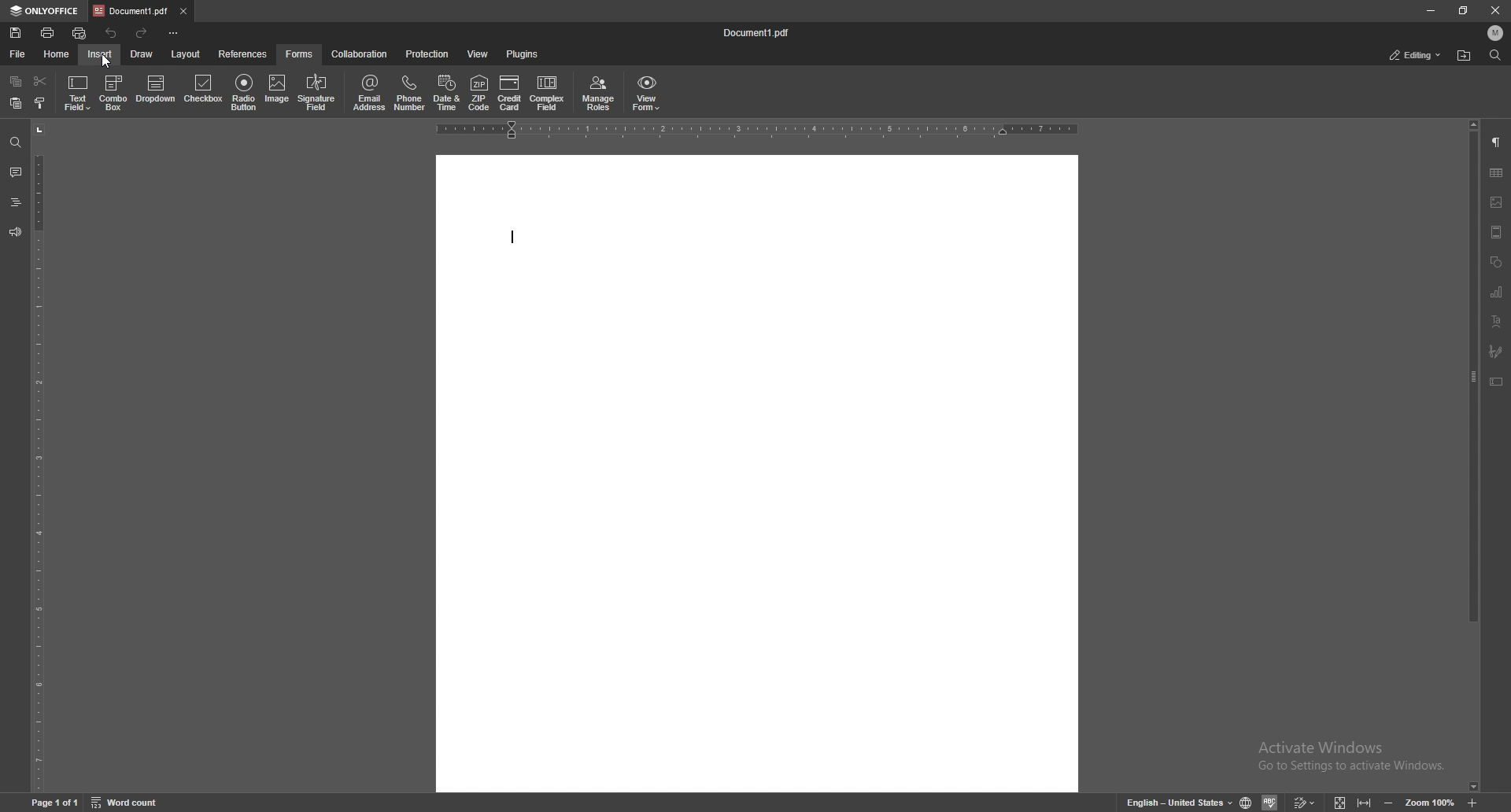  What do you see at coordinates (125, 803) in the screenshot?
I see `word count` at bounding box center [125, 803].